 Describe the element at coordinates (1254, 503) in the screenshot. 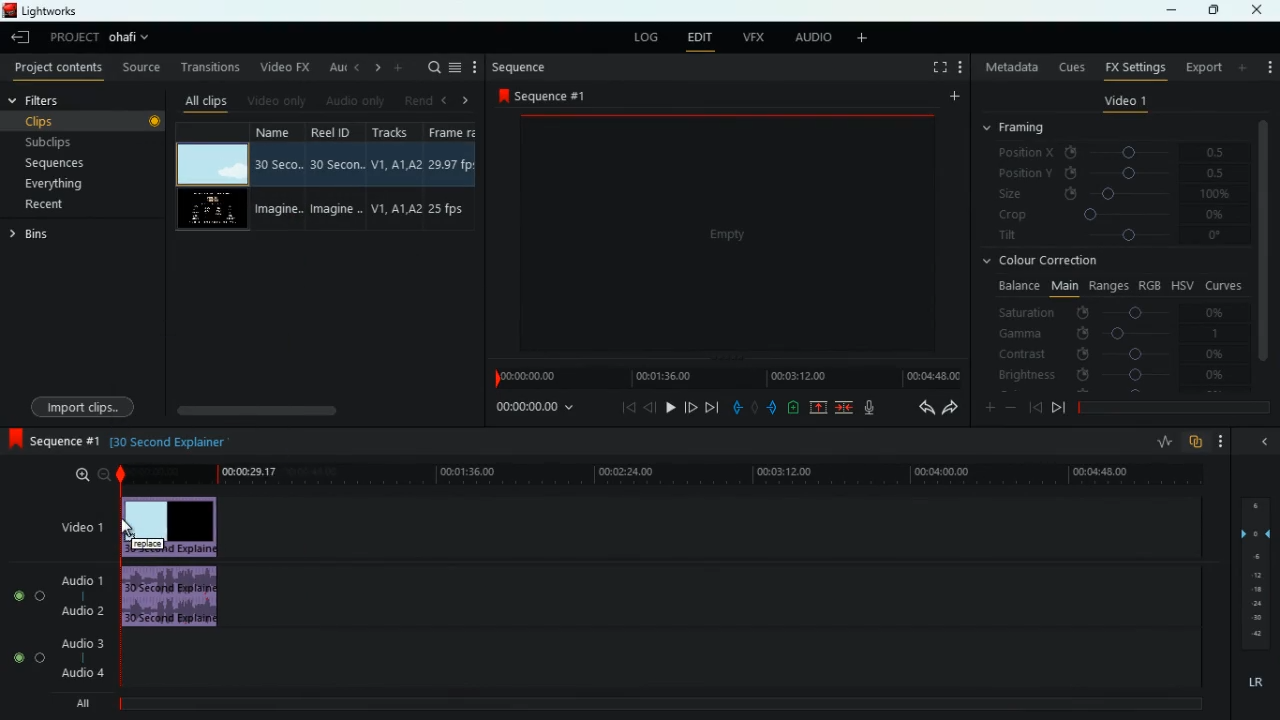

I see `6 (layer)` at that location.